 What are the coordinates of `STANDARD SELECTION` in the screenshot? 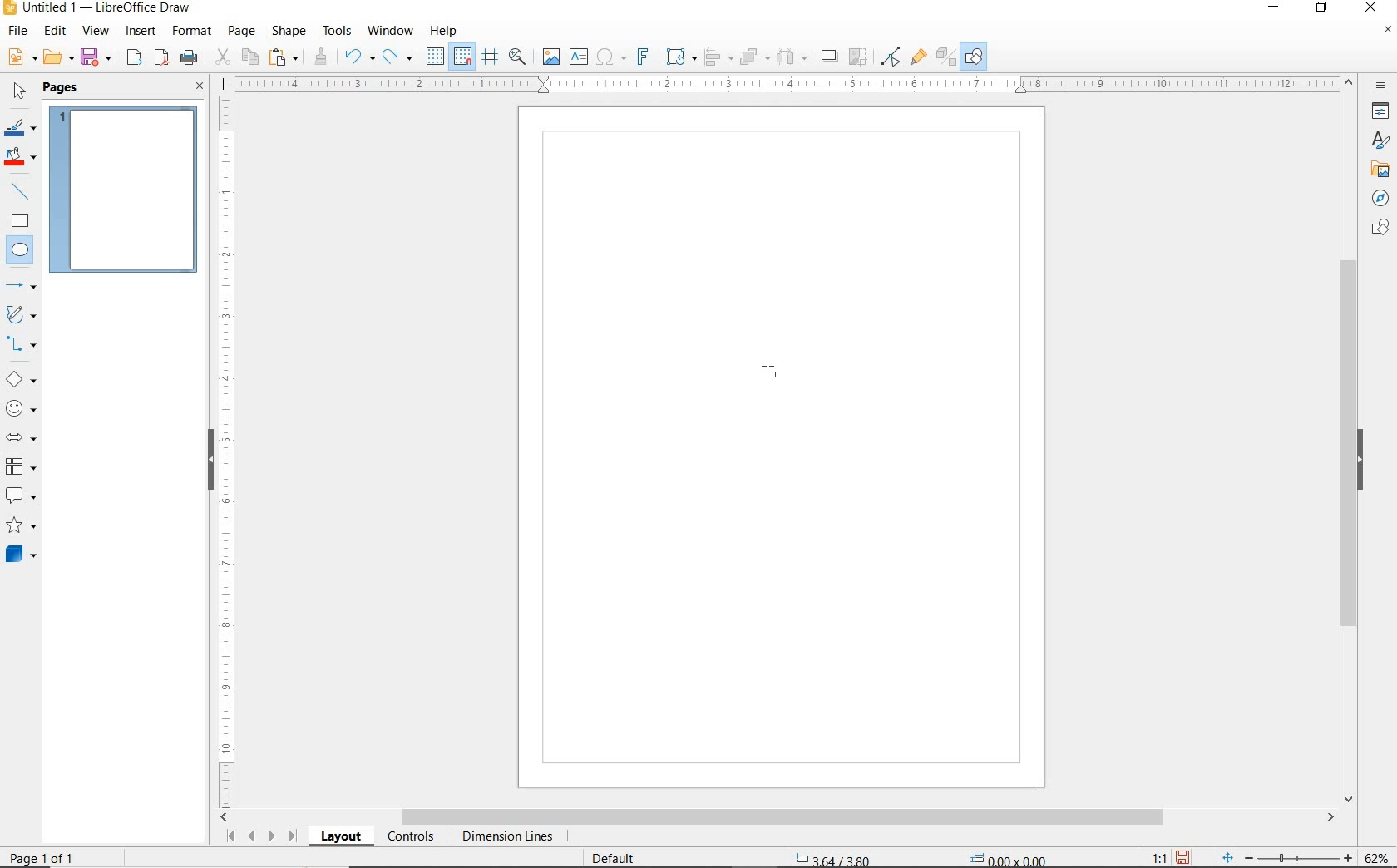 It's located at (921, 854).